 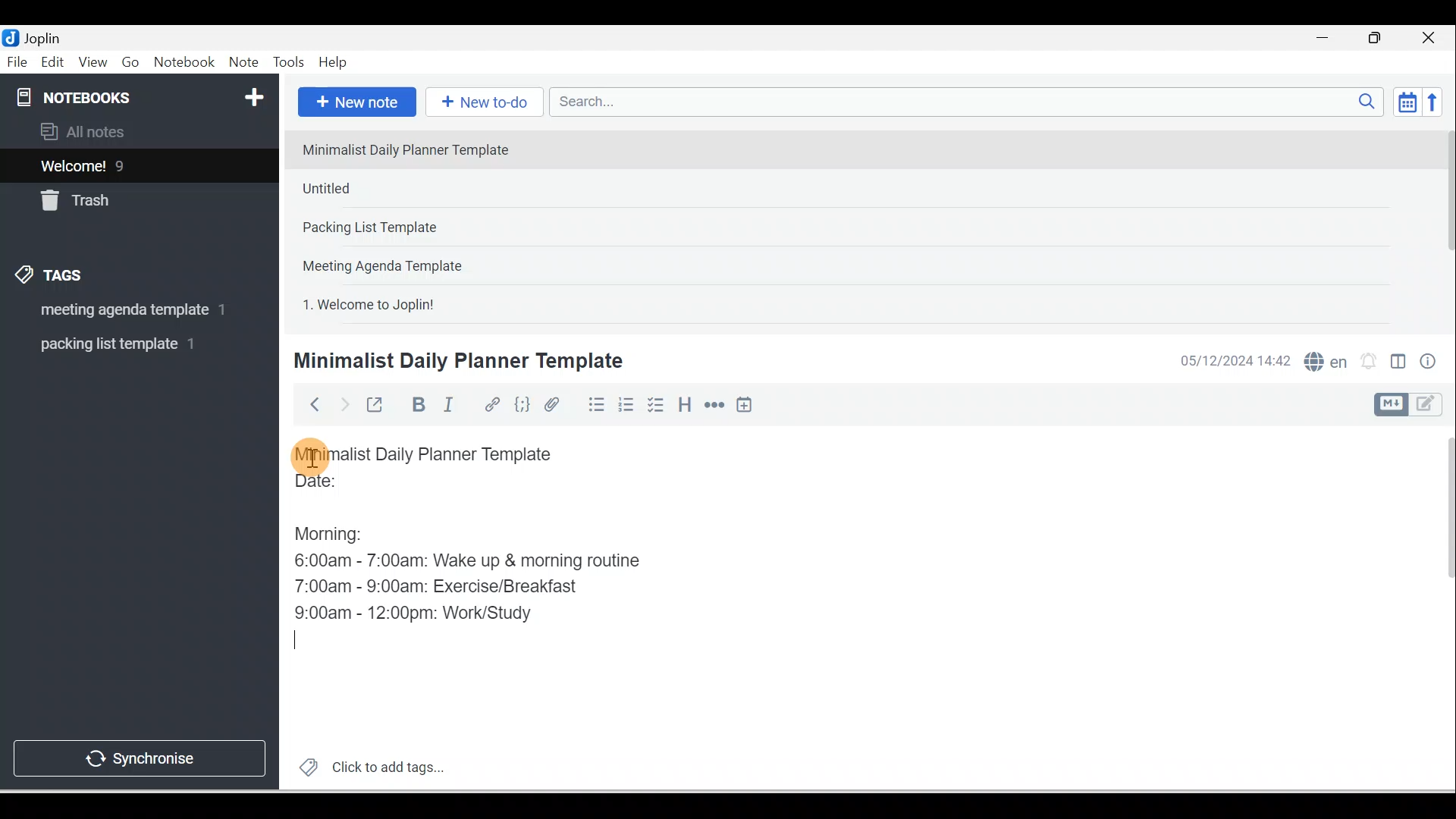 What do you see at coordinates (54, 278) in the screenshot?
I see `Tags` at bounding box center [54, 278].